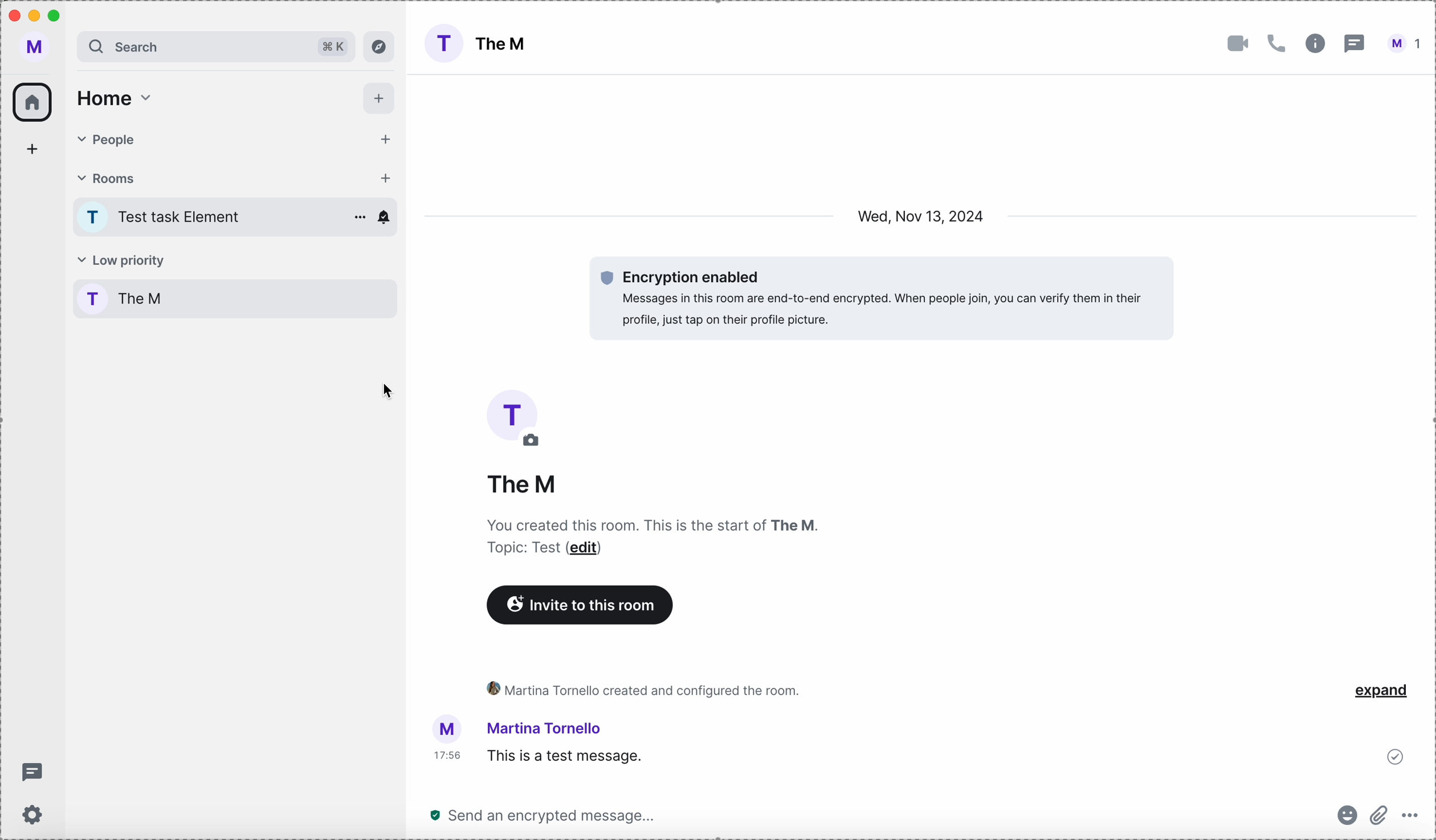 The image size is (1436, 840). I want to click on add, so click(385, 180).